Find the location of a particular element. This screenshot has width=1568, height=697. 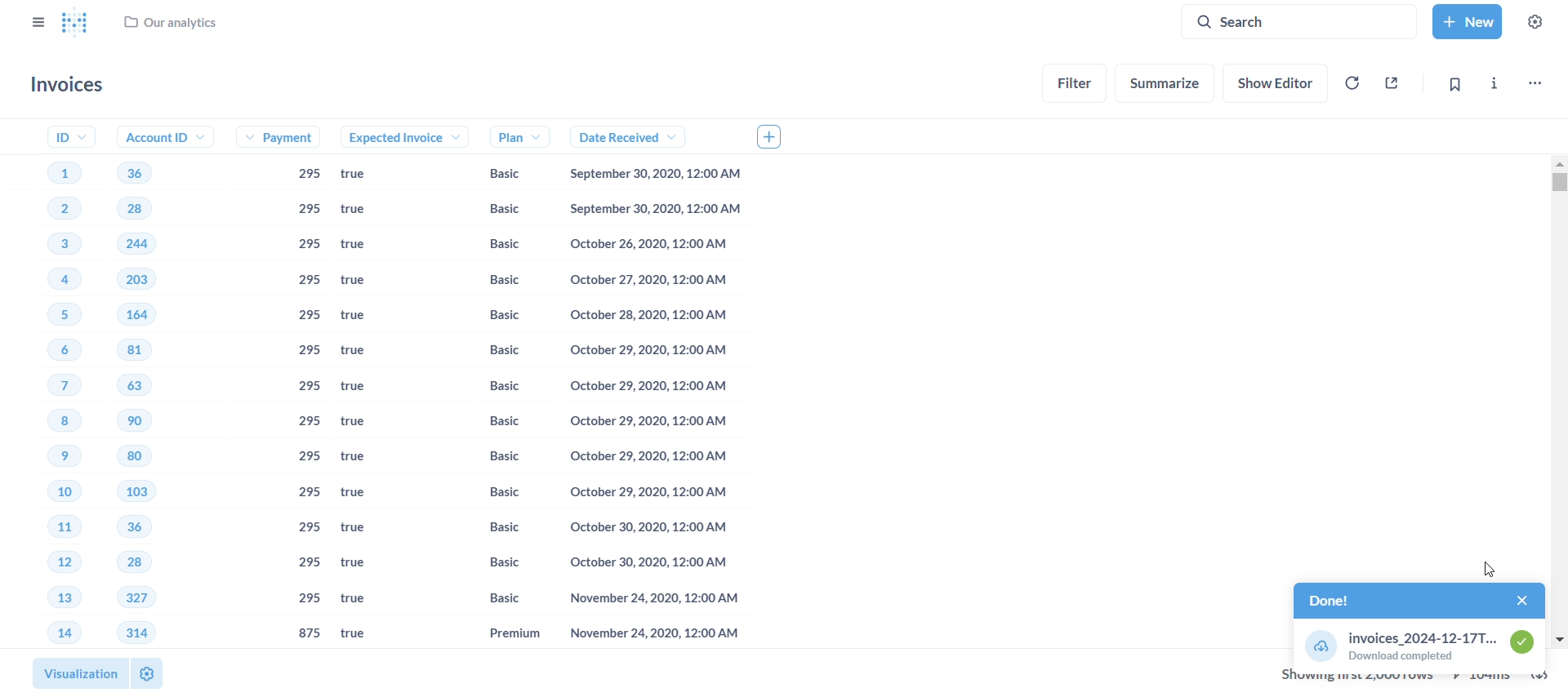

expected voice is located at coordinates (388, 137).